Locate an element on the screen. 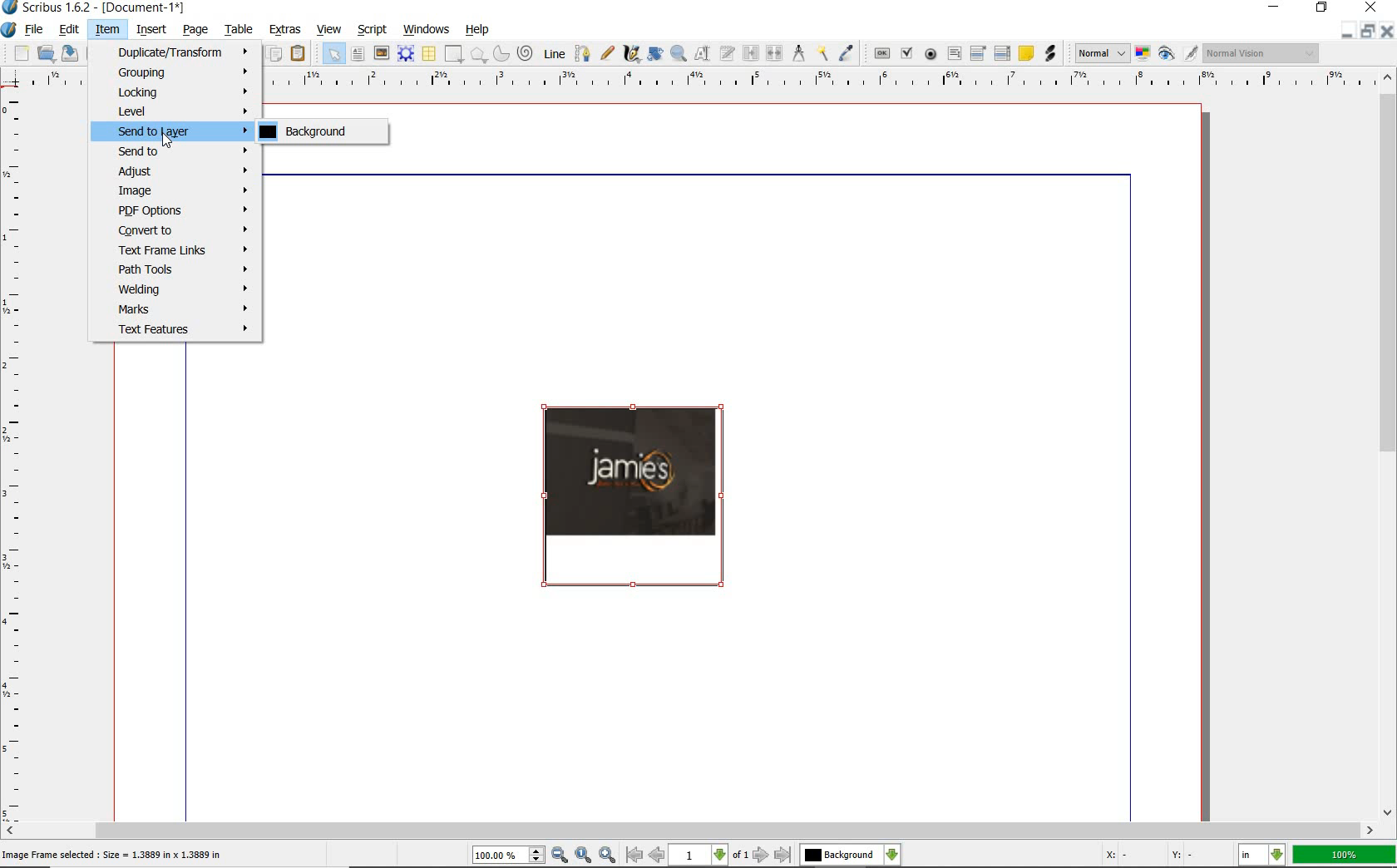  item is located at coordinates (107, 30).